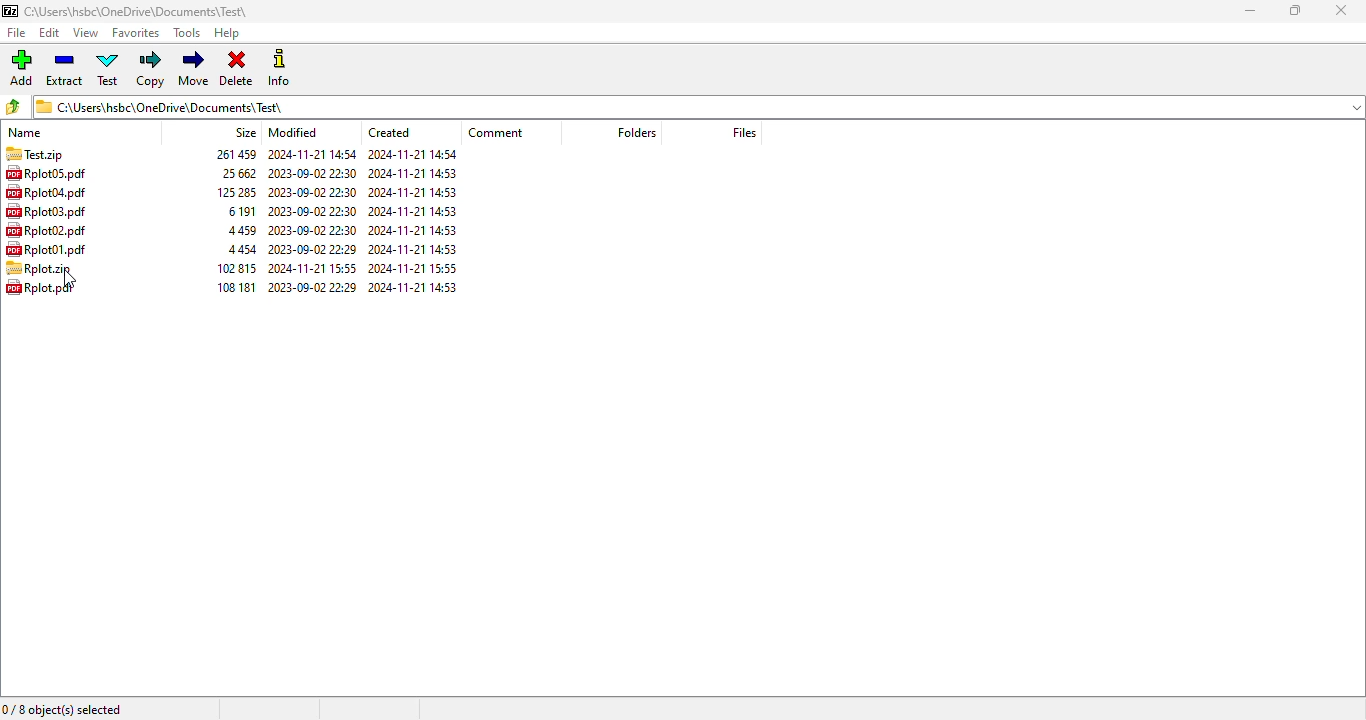 This screenshot has height=720, width=1366. I want to click on size, so click(234, 221).